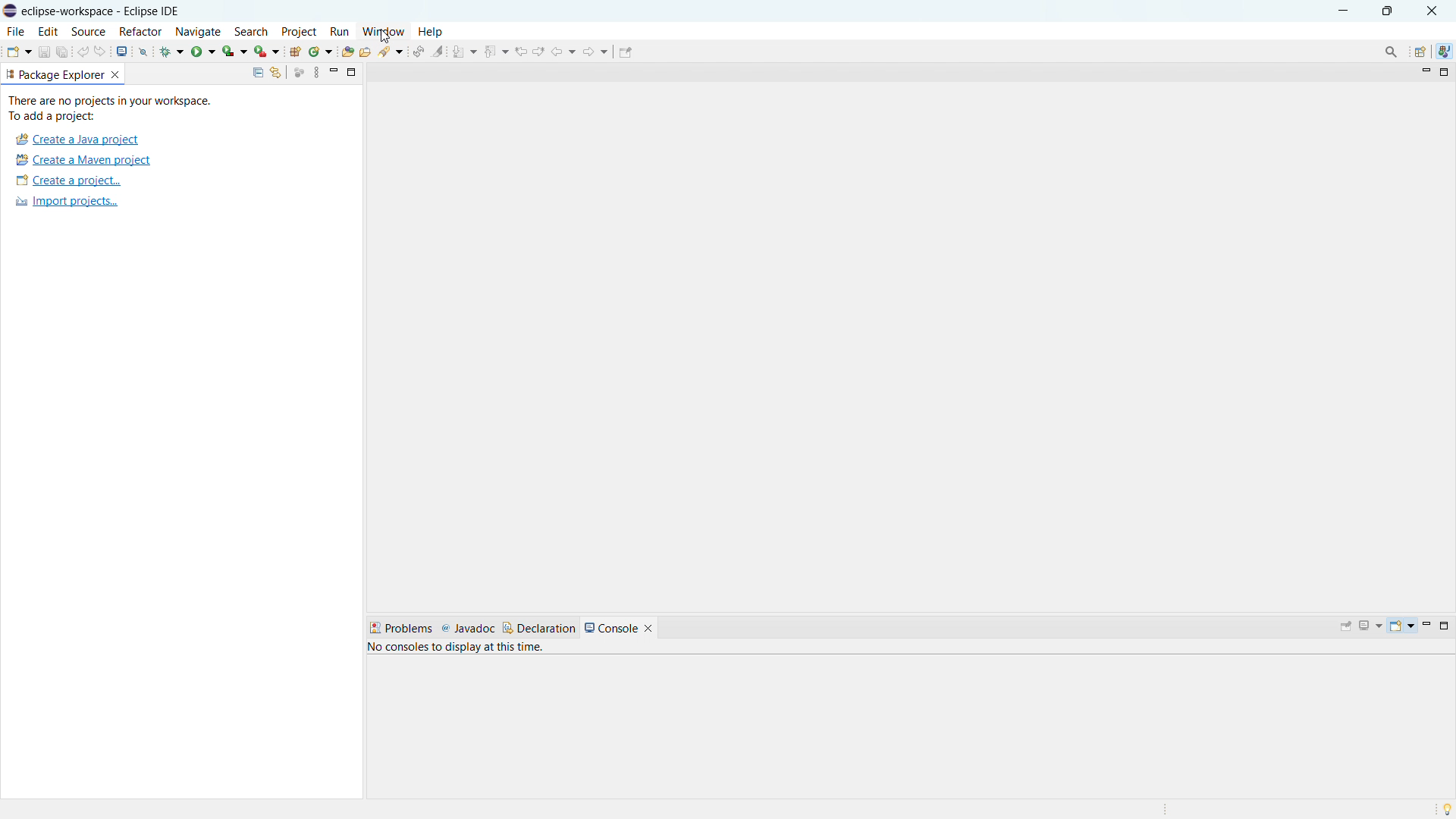 This screenshot has height=819, width=1456. What do you see at coordinates (438, 50) in the screenshot?
I see `toggle ant mark occurances` at bounding box center [438, 50].